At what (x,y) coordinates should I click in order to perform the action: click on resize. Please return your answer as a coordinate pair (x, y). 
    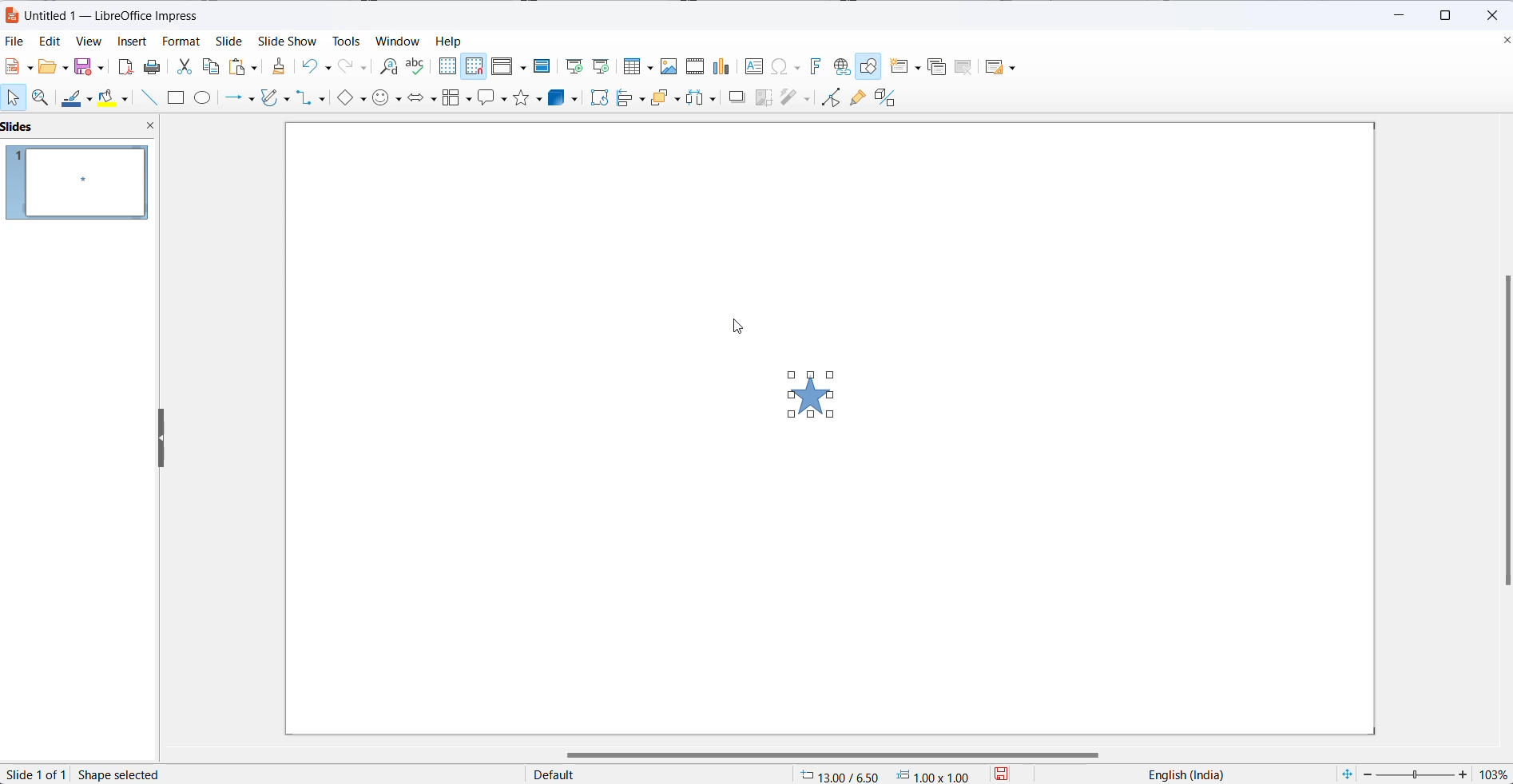
    Looking at the image, I should click on (162, 439).